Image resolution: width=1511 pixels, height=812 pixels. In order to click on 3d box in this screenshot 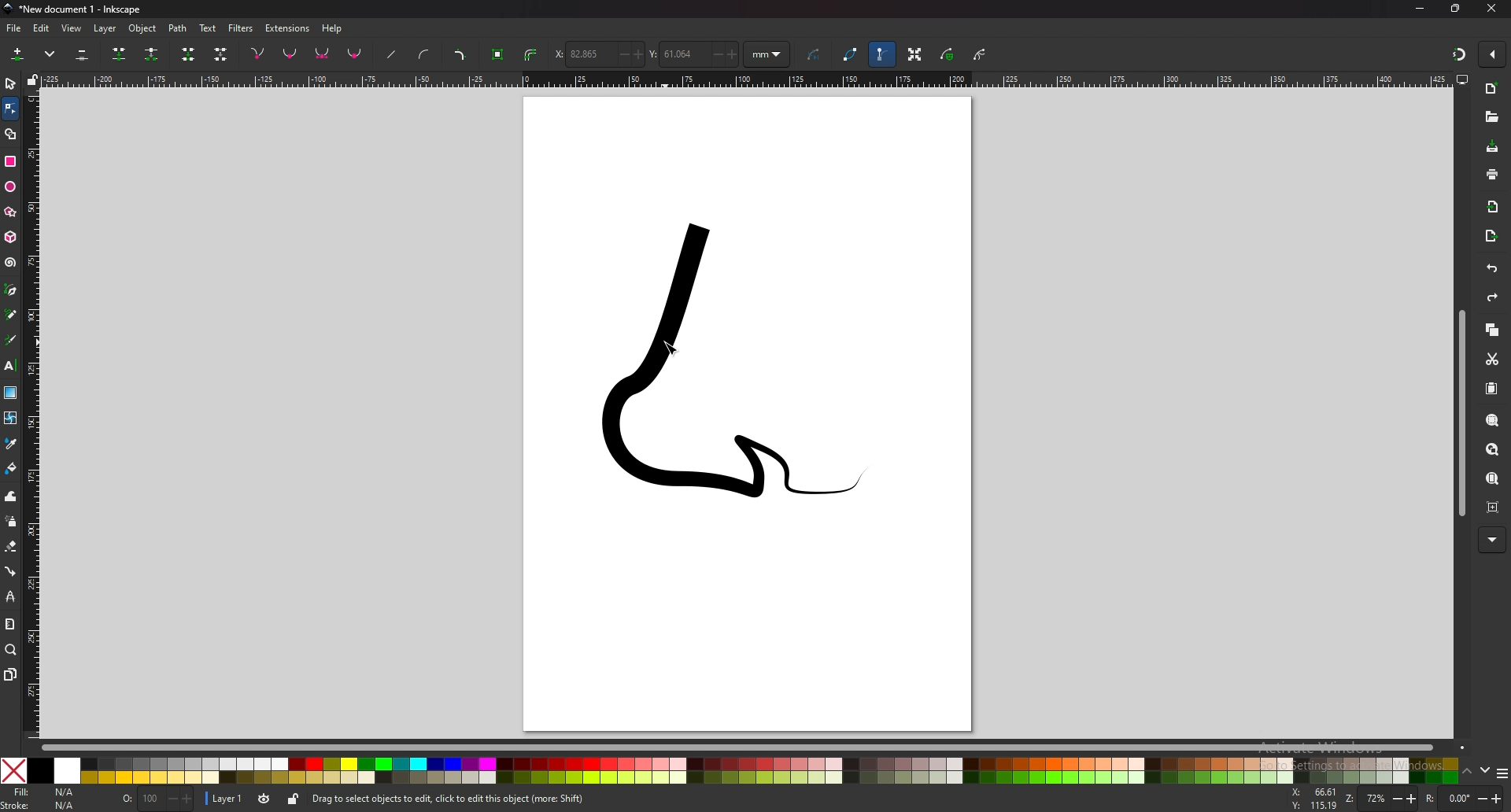, I will do `click(10, 237)`.